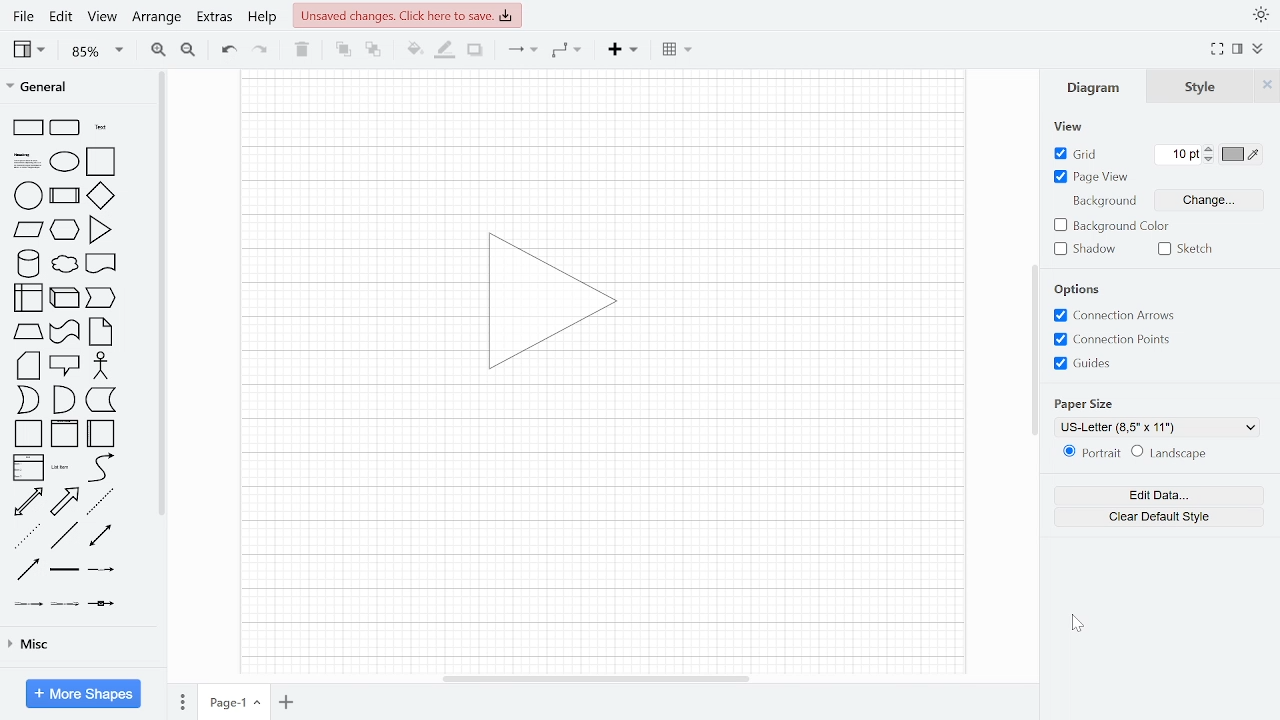 Image resolution: width=1280 pixels, height=720 pixels. Describe the element at coordinates (1210, 159) in the screenshot. I see `Decrease grid pt` at that location.